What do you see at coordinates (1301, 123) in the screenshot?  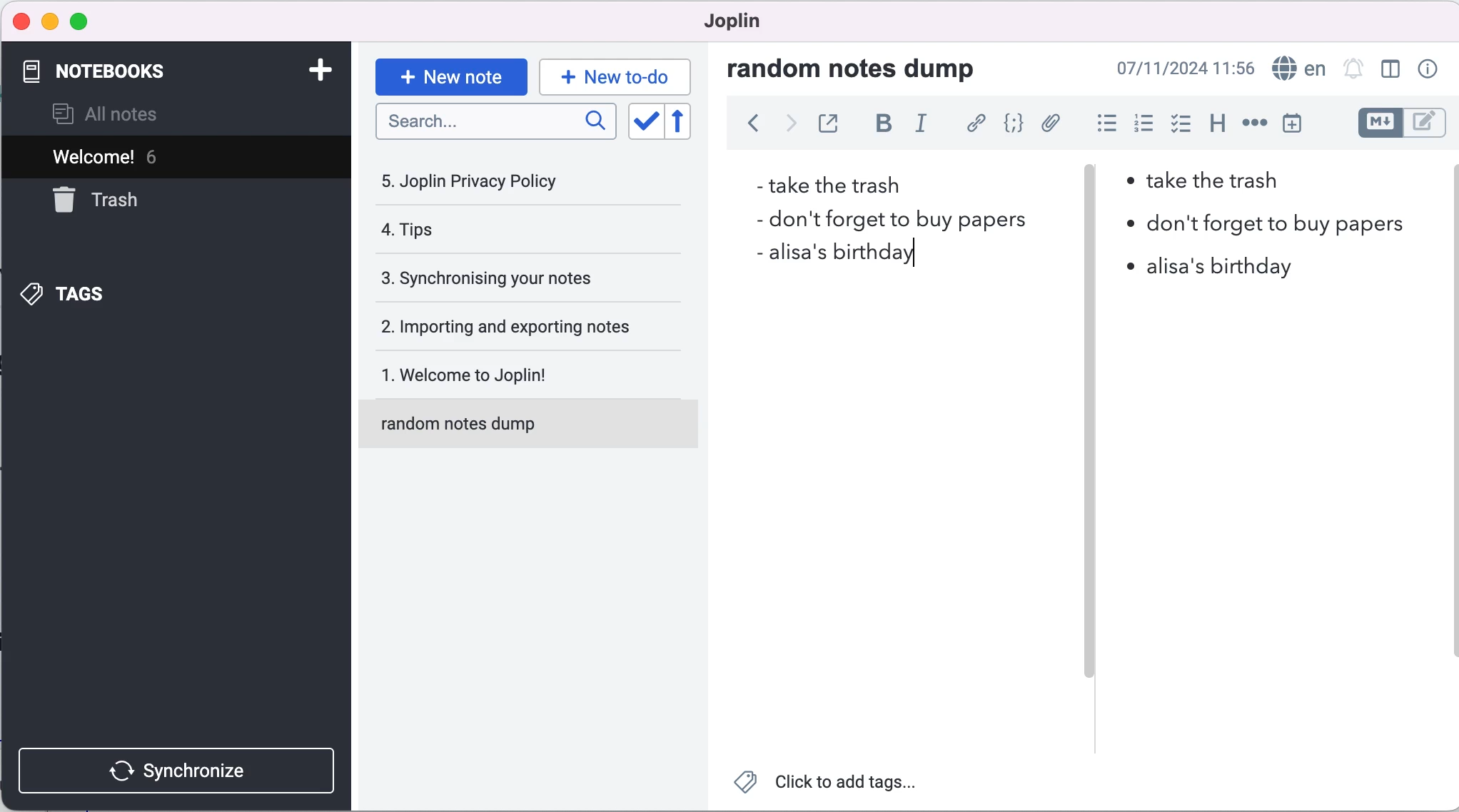 I see `insert time` at bounding box center [1301, 123].